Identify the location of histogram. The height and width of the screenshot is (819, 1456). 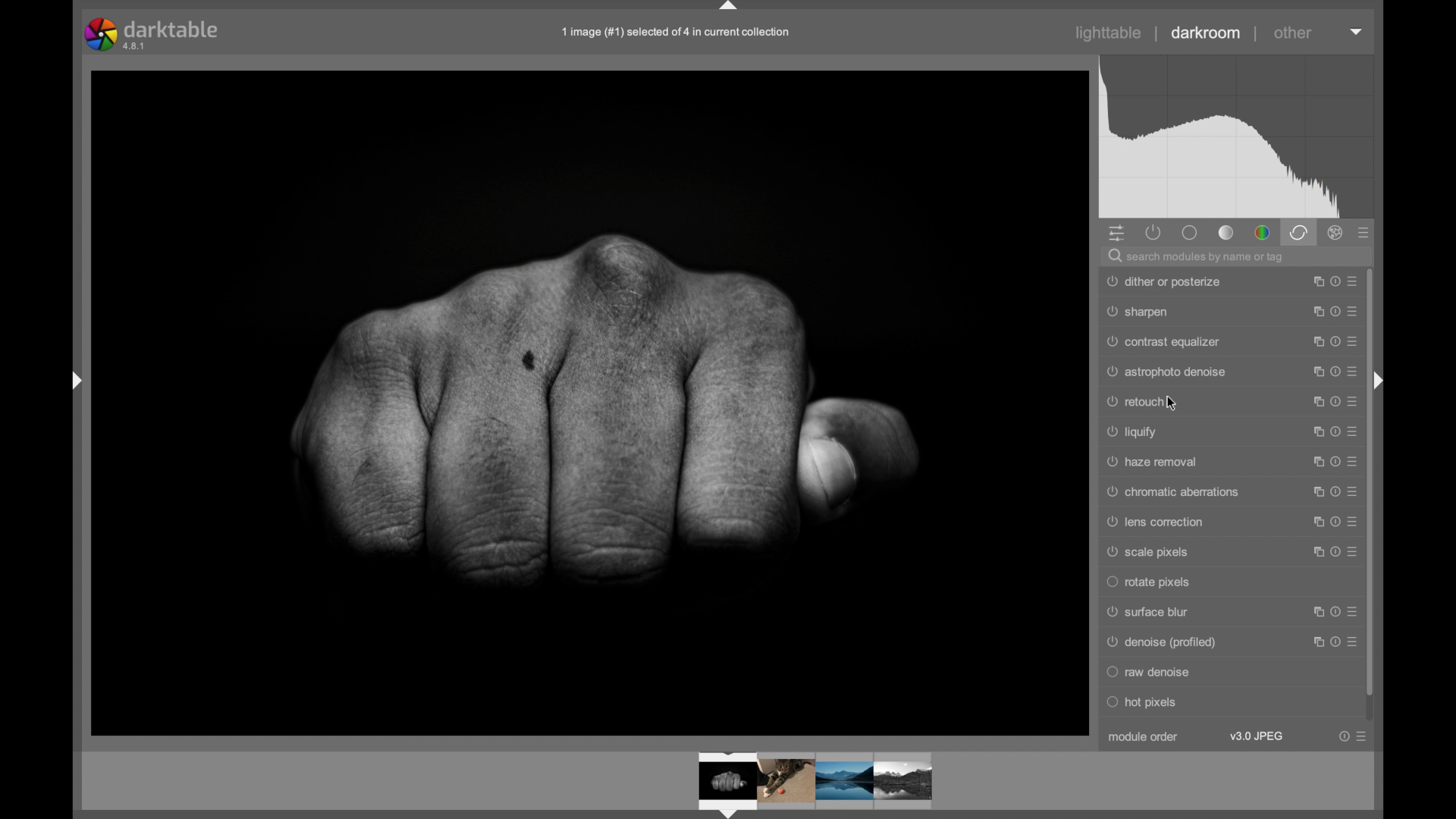
(1236, 137).